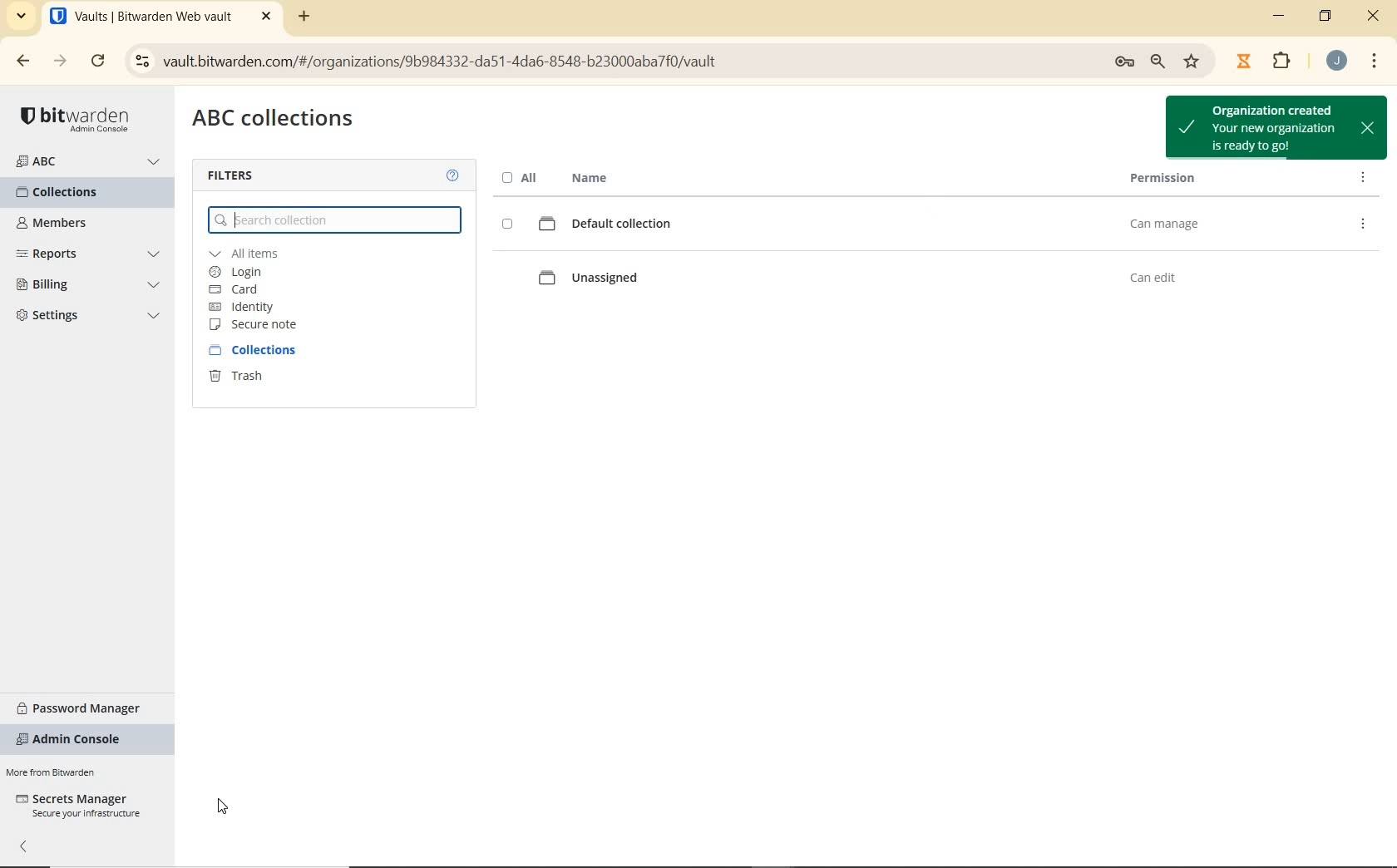  Describe the element at coordinates (1160, 62) in the screenshot. I see `zoom` at that location.